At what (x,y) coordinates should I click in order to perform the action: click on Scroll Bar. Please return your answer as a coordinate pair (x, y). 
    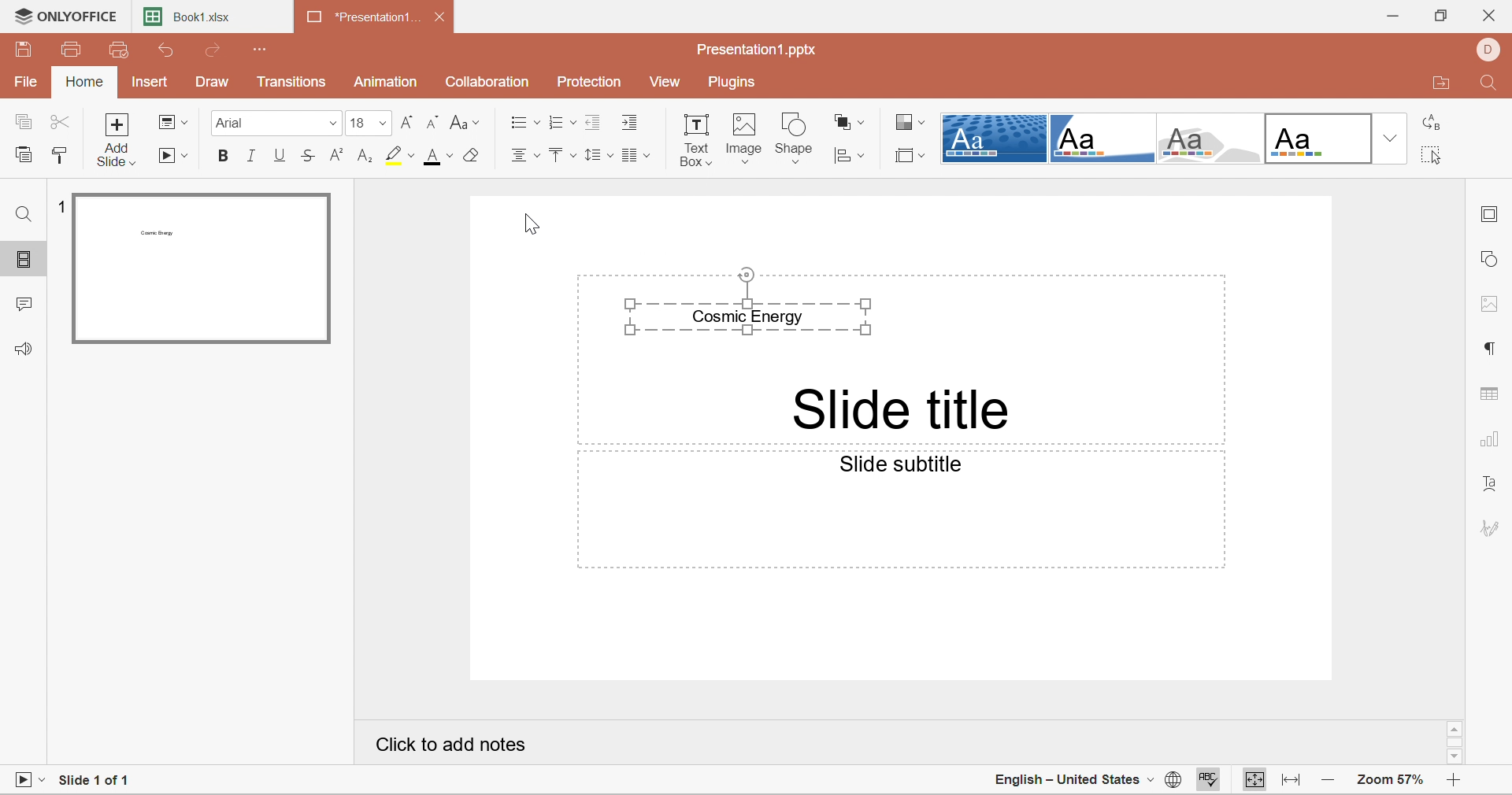
    Looking at the image, I should click on (1456, 741).